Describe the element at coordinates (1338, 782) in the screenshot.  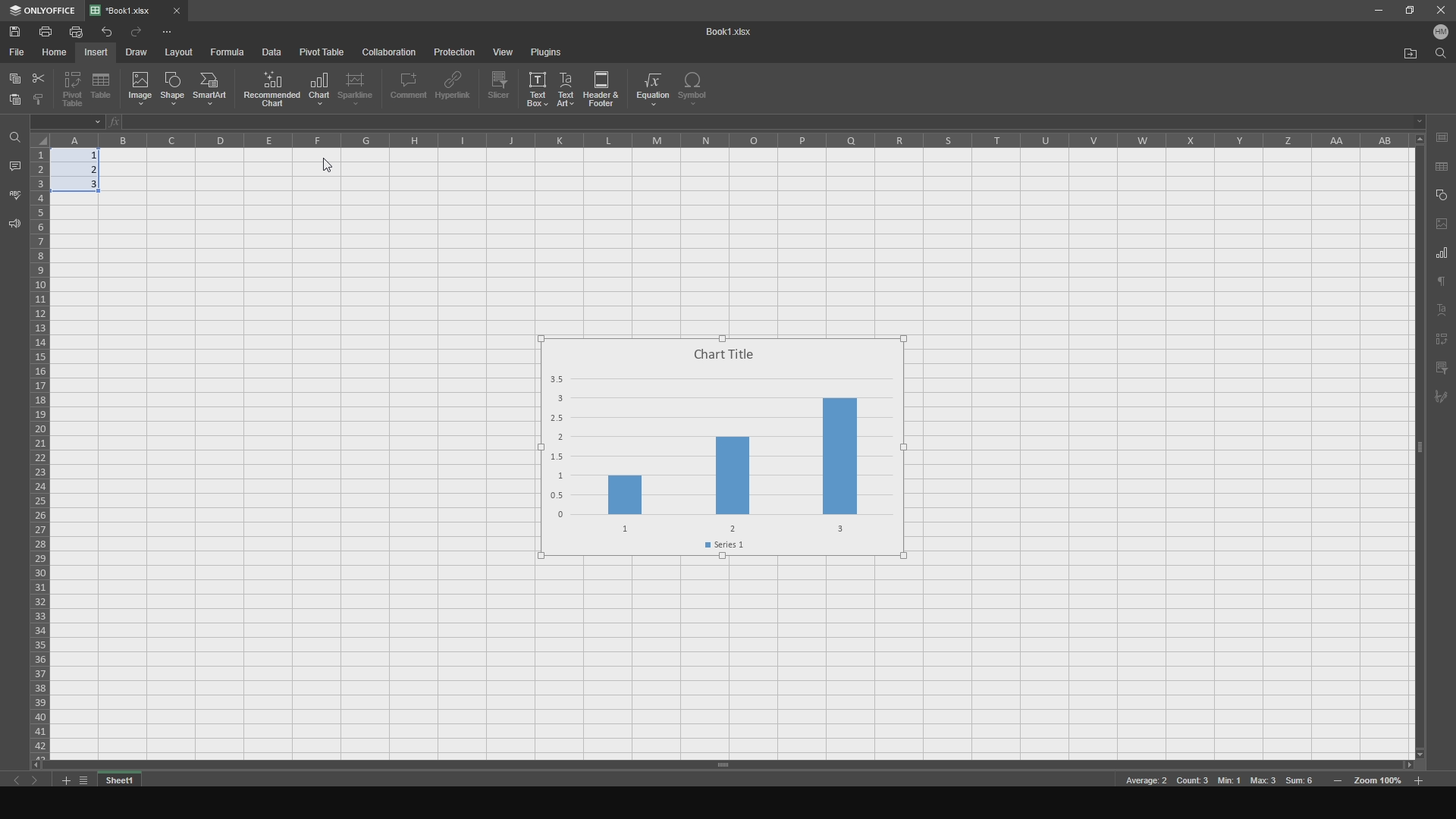
I see `zoom in` at that location.